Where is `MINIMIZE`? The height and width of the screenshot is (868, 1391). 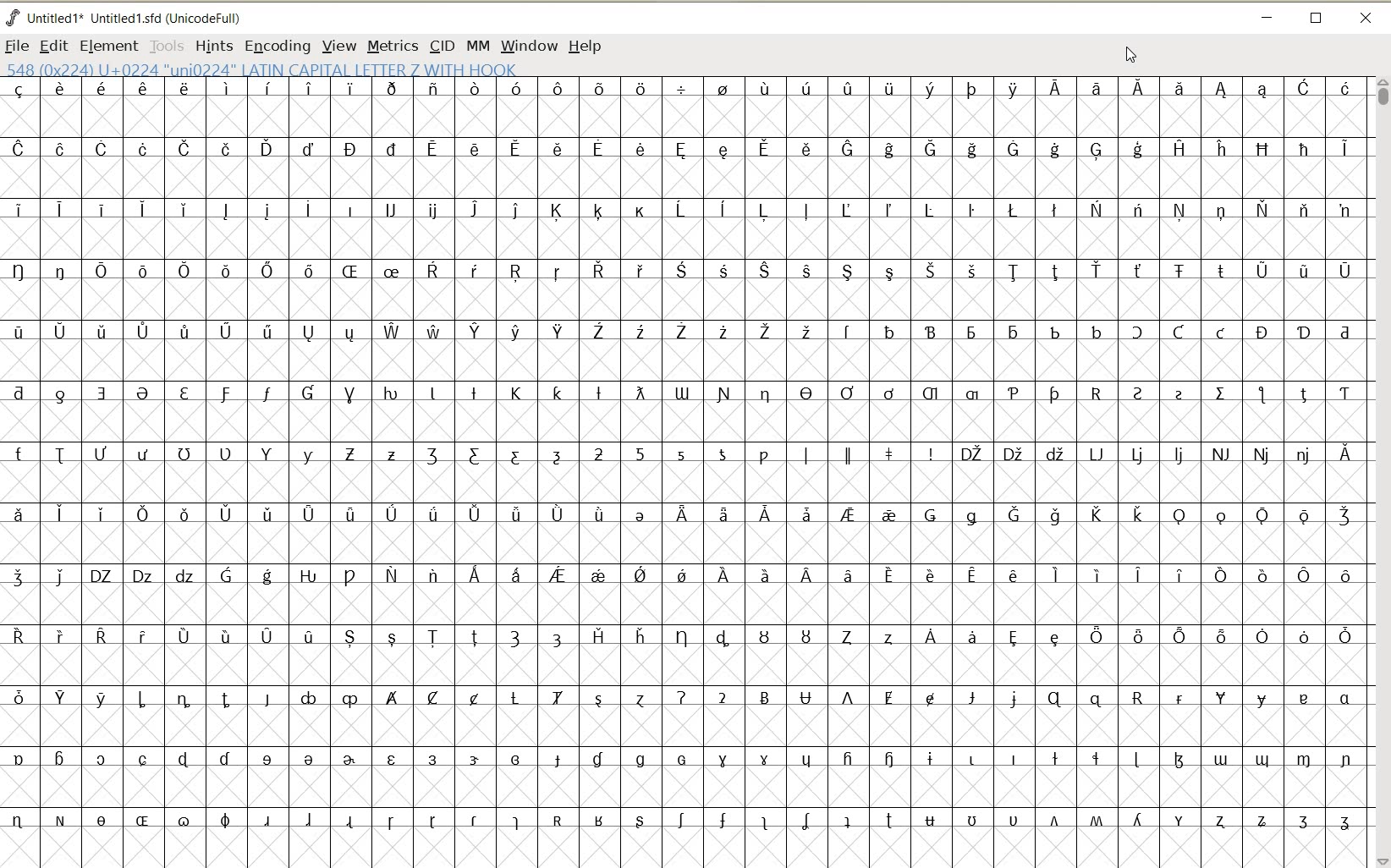
MINIMIZE is located at coordinates (1266, 15).